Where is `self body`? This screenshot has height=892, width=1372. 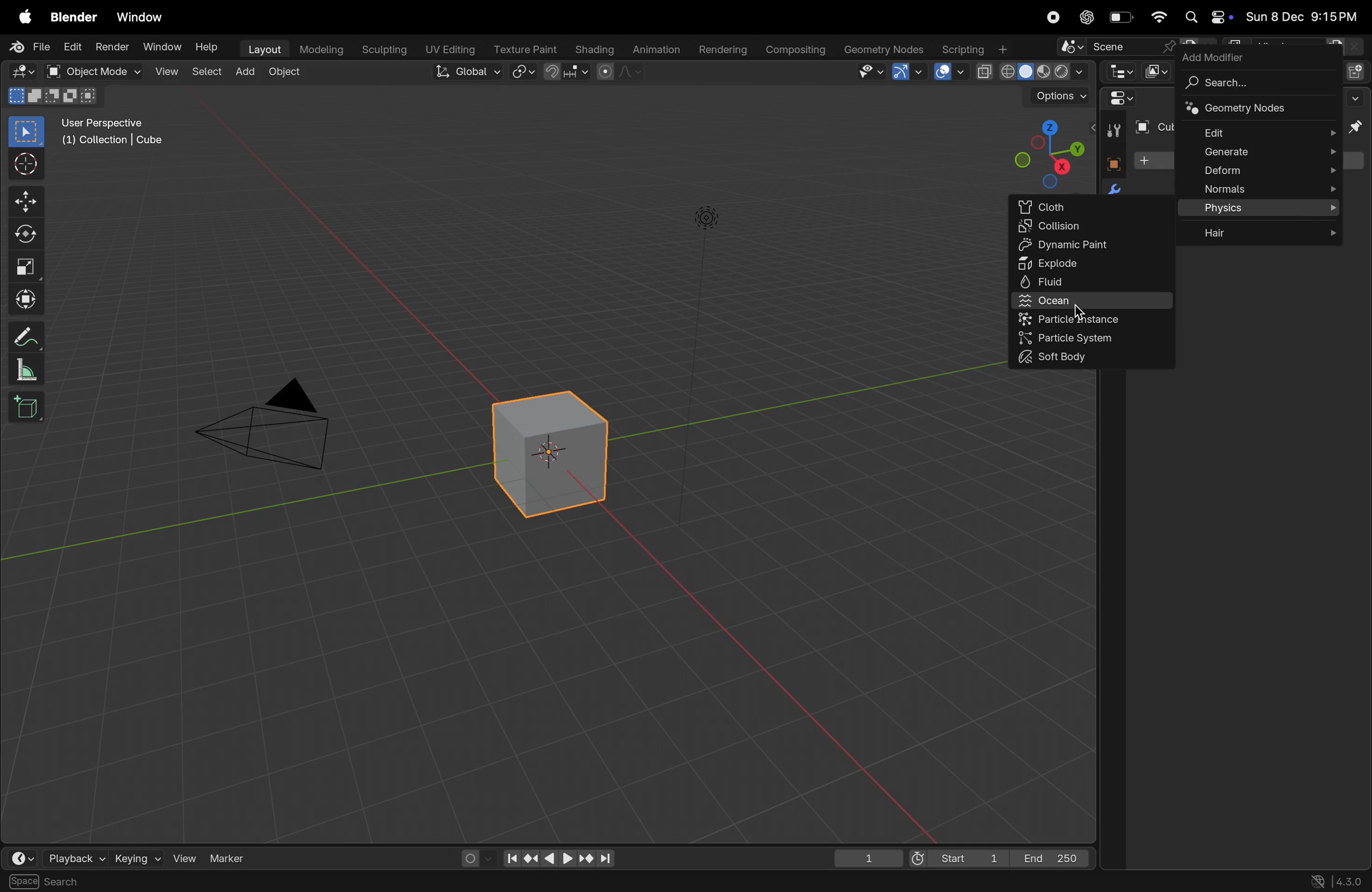
self body is located at coordinates (1085, 358).